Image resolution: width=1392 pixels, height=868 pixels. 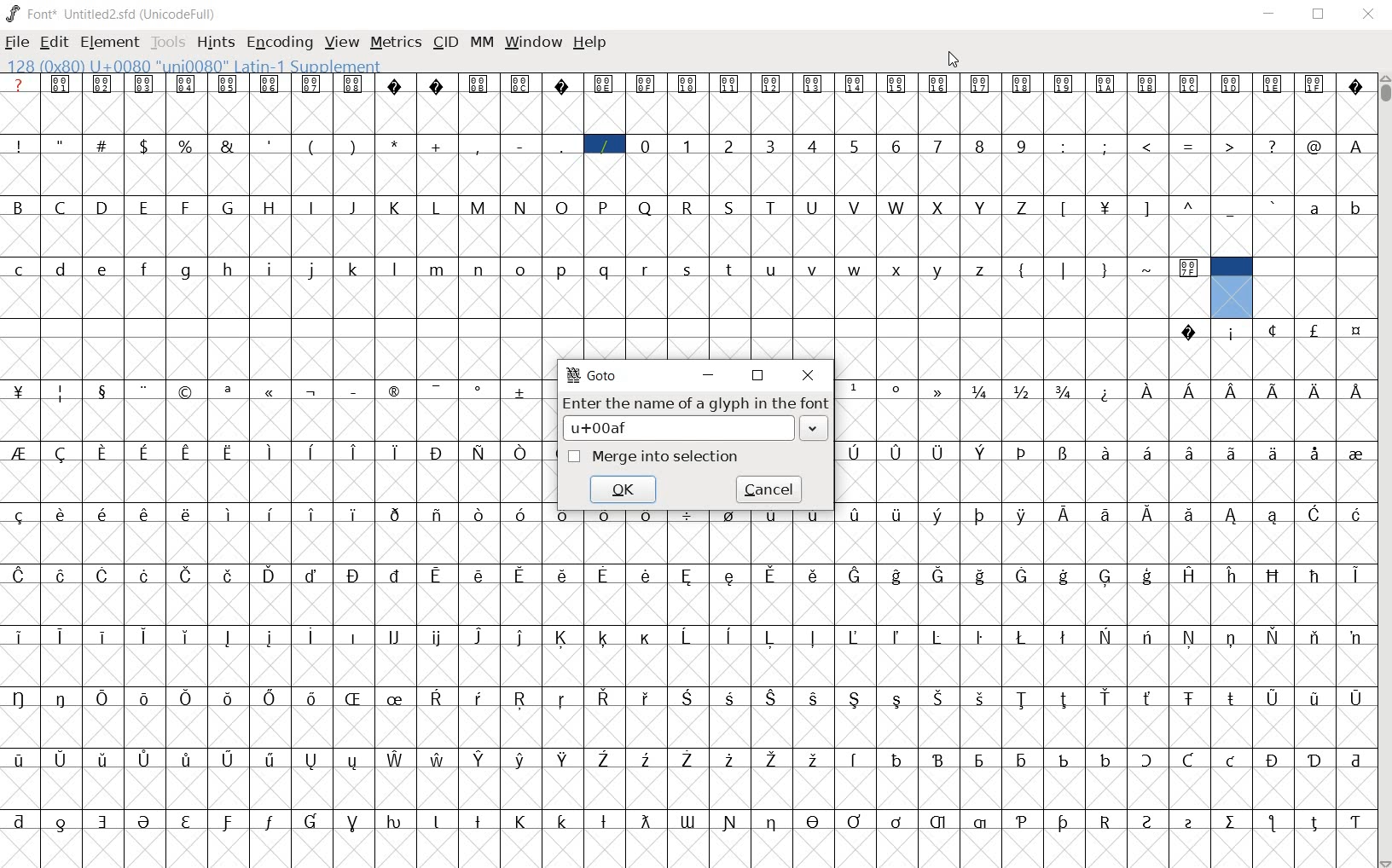 What do you see at coordinates (1188, 513) in the screenshot?
I see `Symbol` at bounding box center [1188, 513].